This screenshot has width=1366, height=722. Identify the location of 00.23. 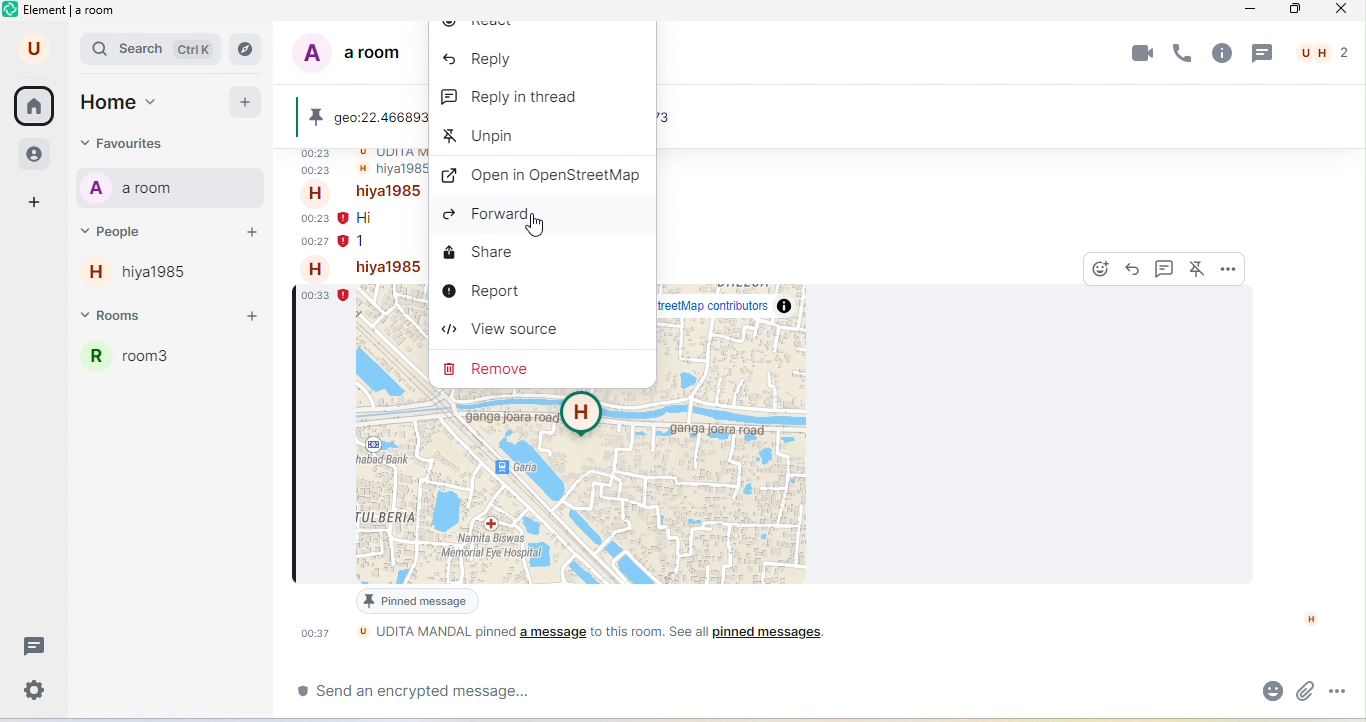
(314, 218).